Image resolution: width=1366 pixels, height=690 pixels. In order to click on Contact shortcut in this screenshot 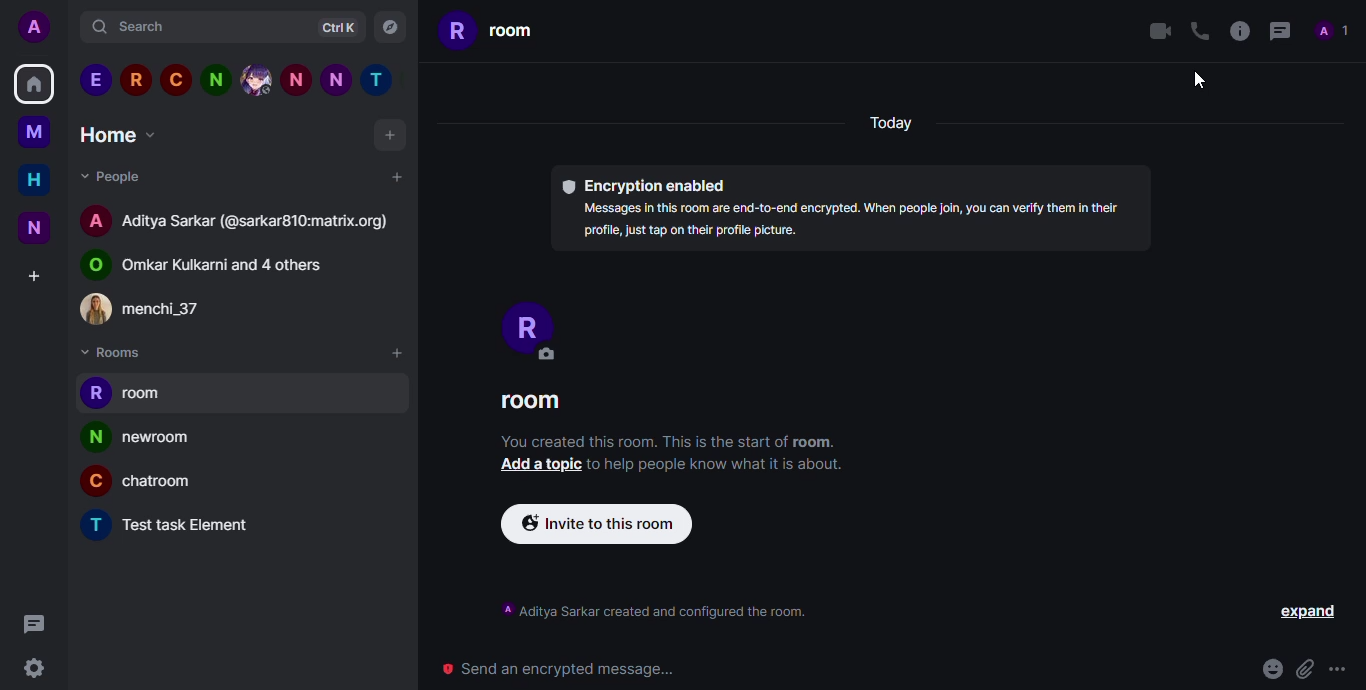, I will do `click(135, 80)`.